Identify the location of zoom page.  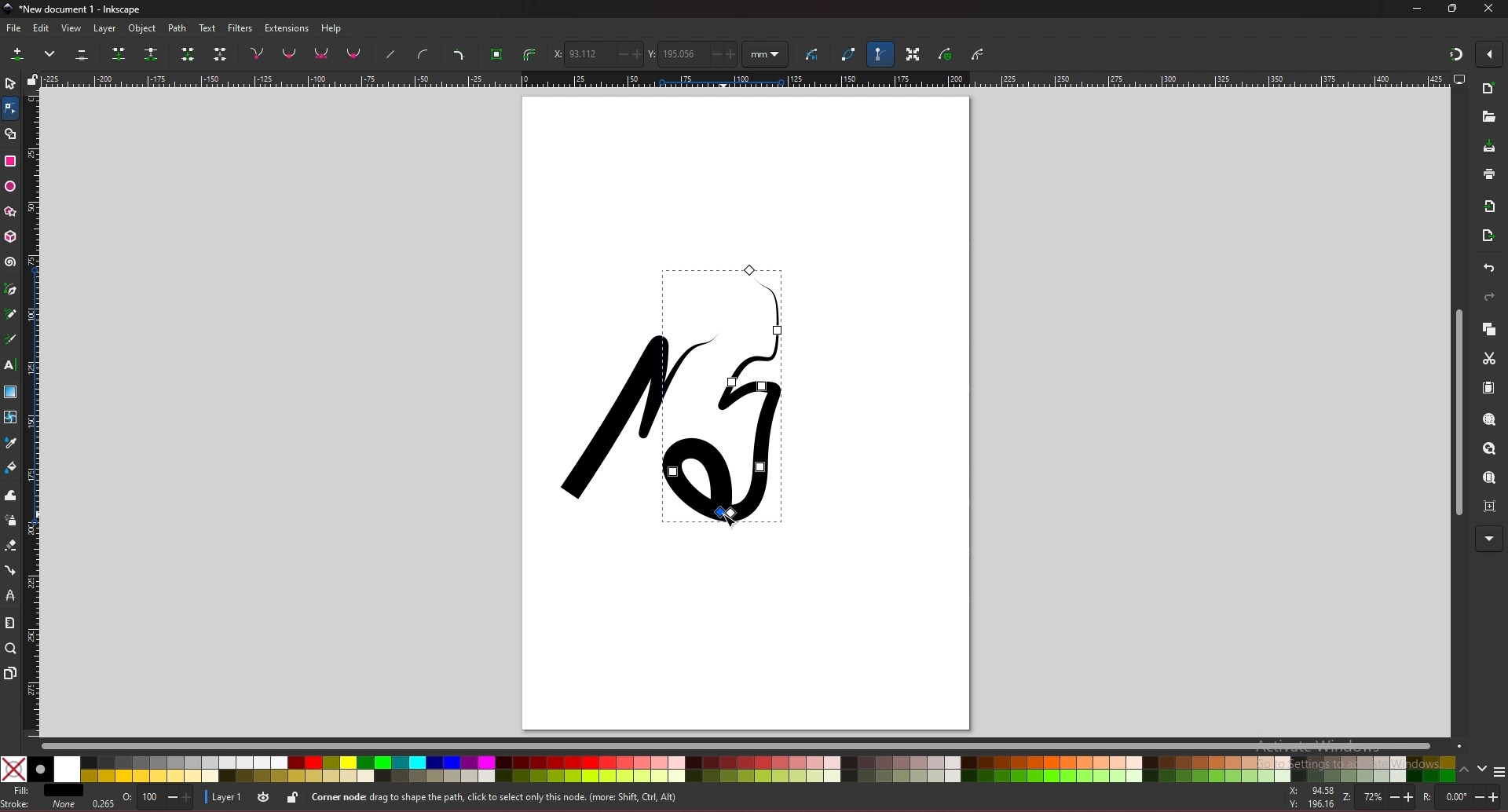
(1490, 477).